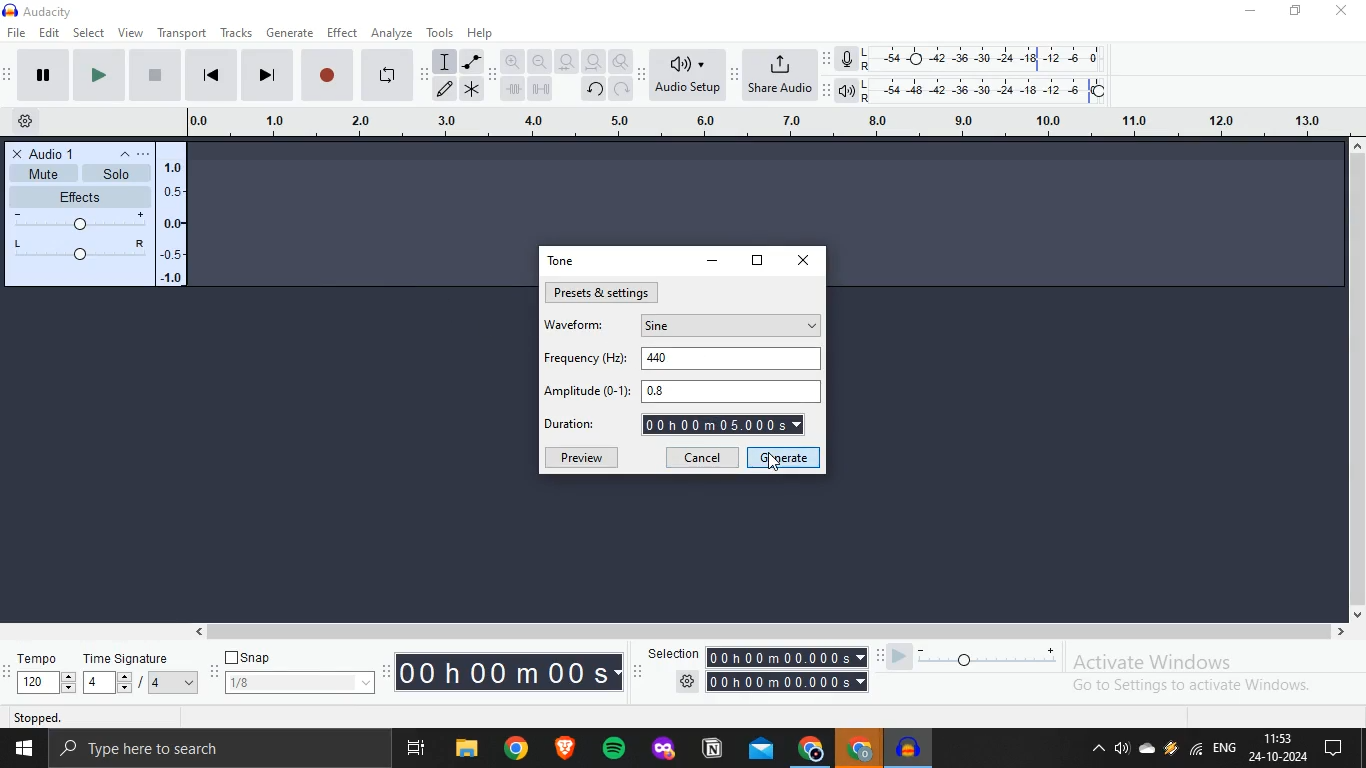 The width and height of the screenshot is (1366, 768). I want to click on LR Audio, so click(978, 89).